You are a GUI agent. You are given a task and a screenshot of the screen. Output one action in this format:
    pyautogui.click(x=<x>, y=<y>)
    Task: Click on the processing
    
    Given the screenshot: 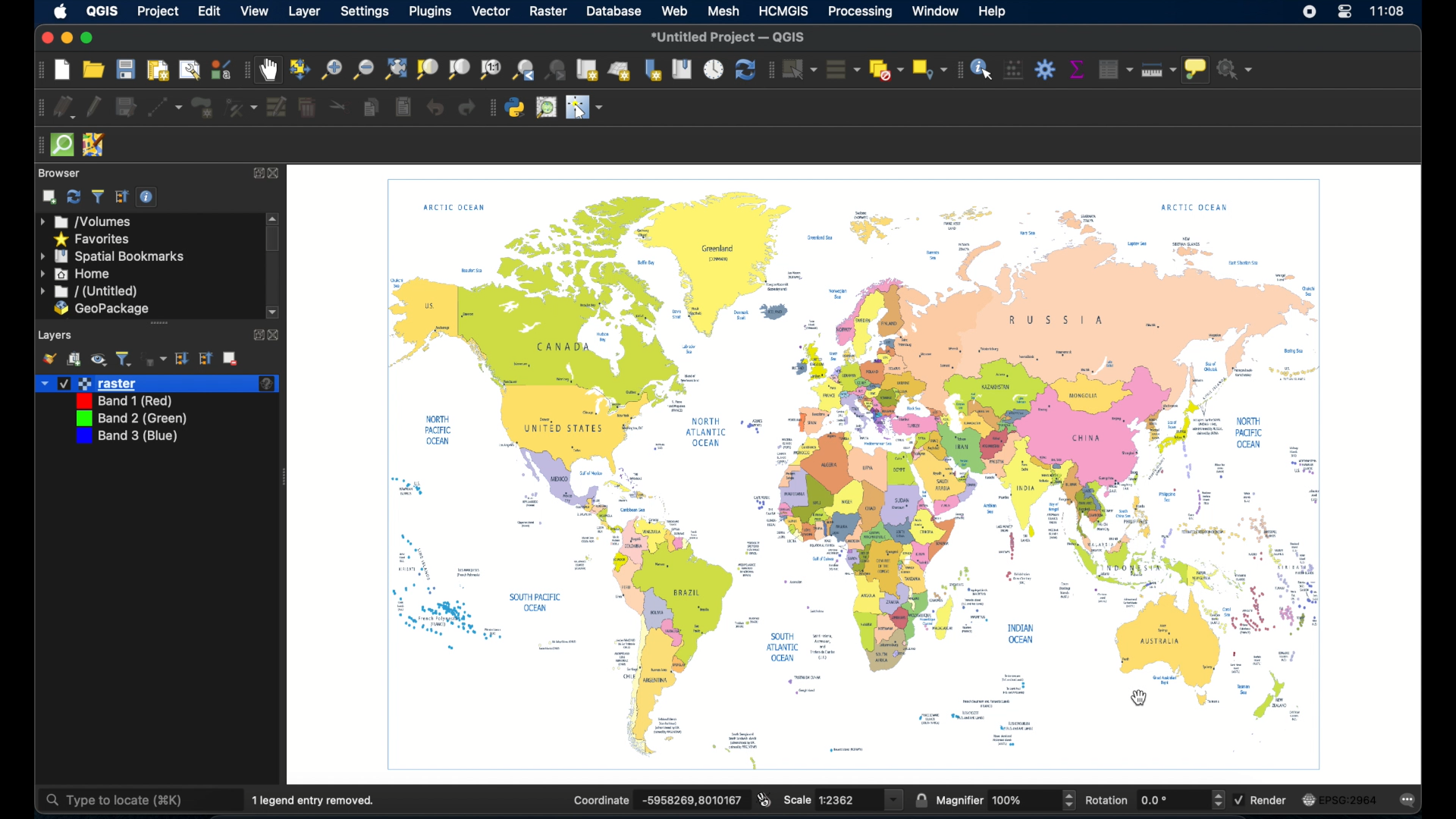 What is the action you would take?
    pyautogui.click(x=858, y=11)
    